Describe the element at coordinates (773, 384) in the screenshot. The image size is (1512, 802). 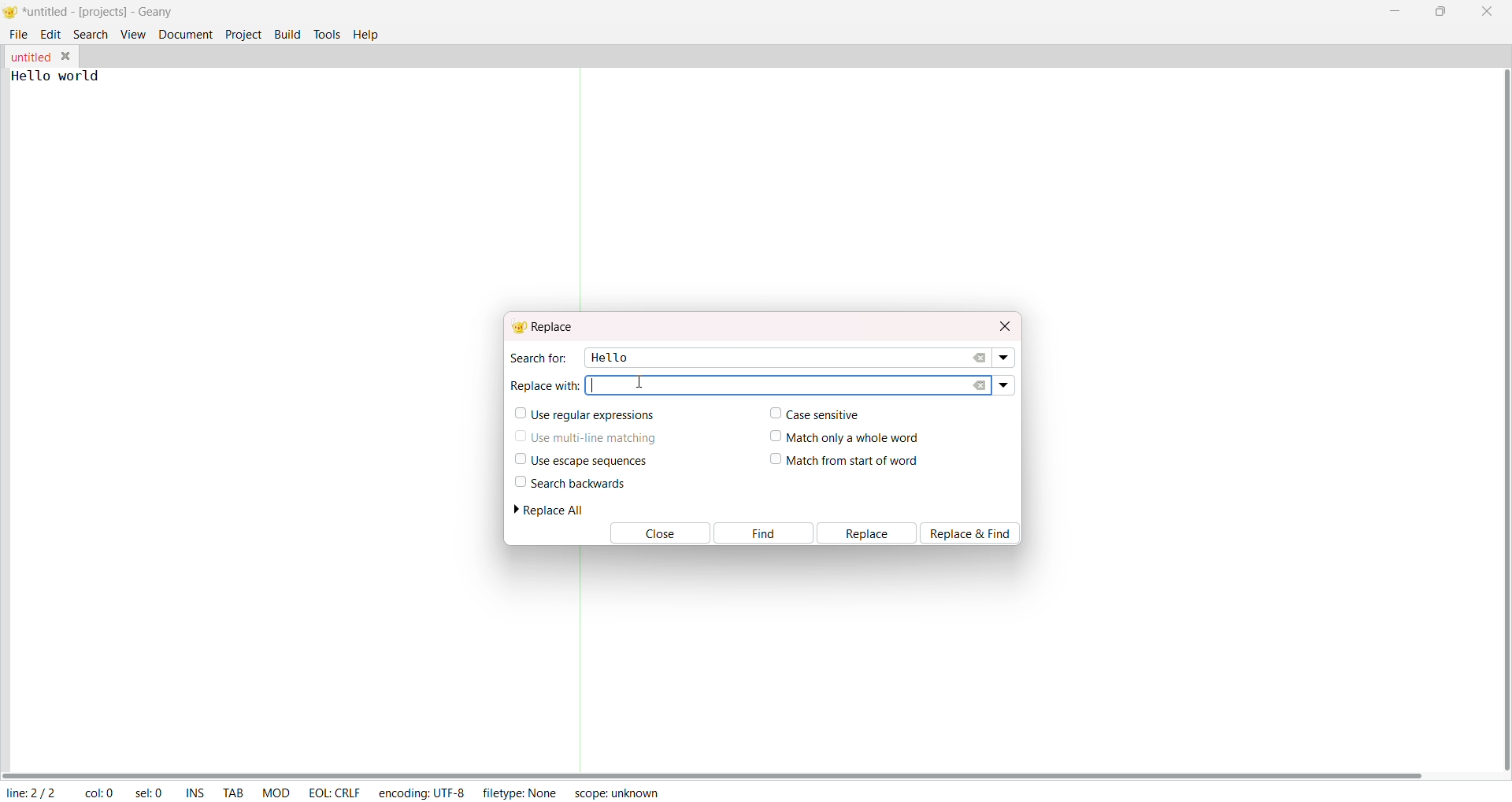
I see `active replace area` at that location.